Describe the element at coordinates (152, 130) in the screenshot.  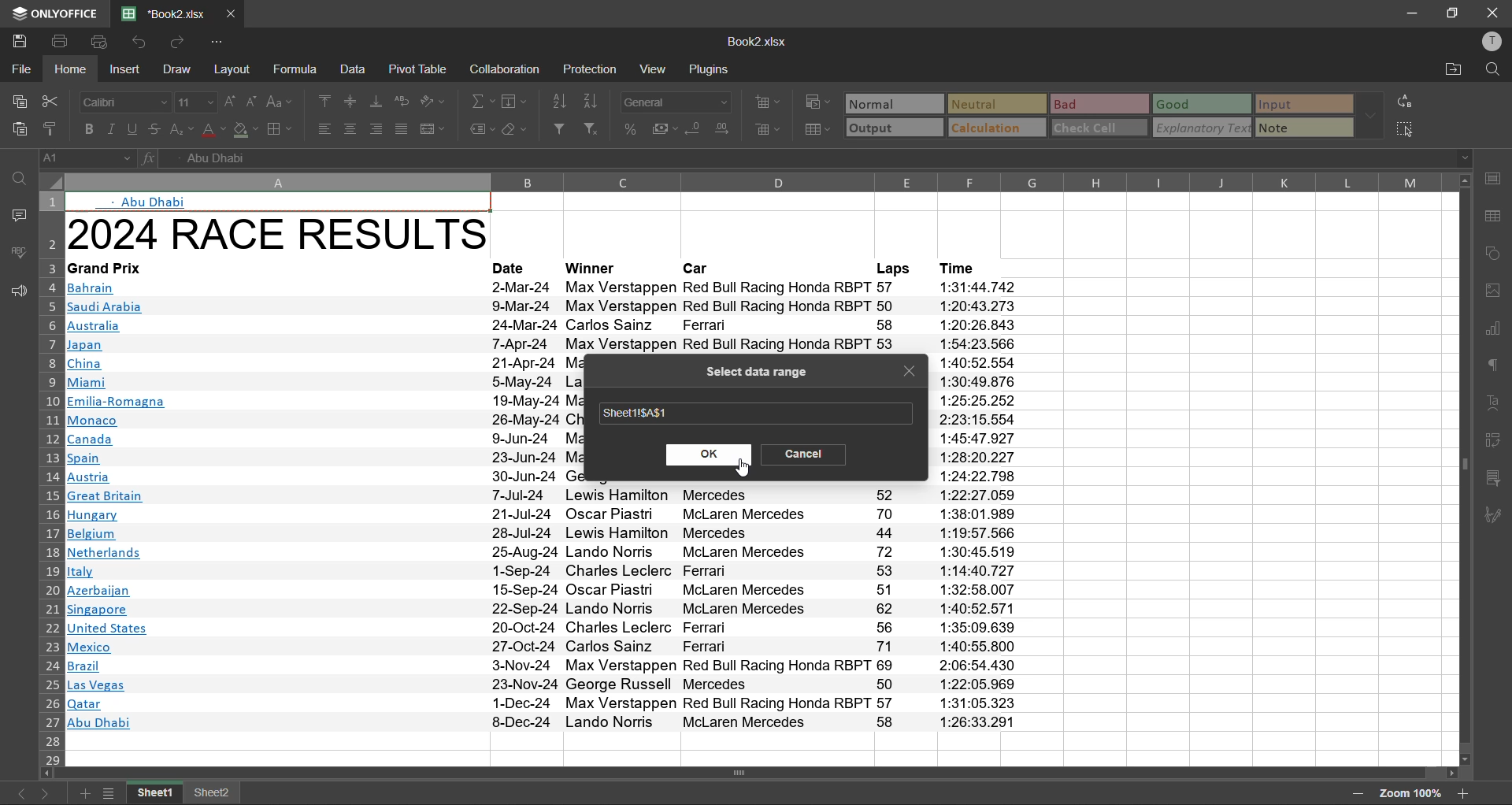
I see `strikethrough` at that location.